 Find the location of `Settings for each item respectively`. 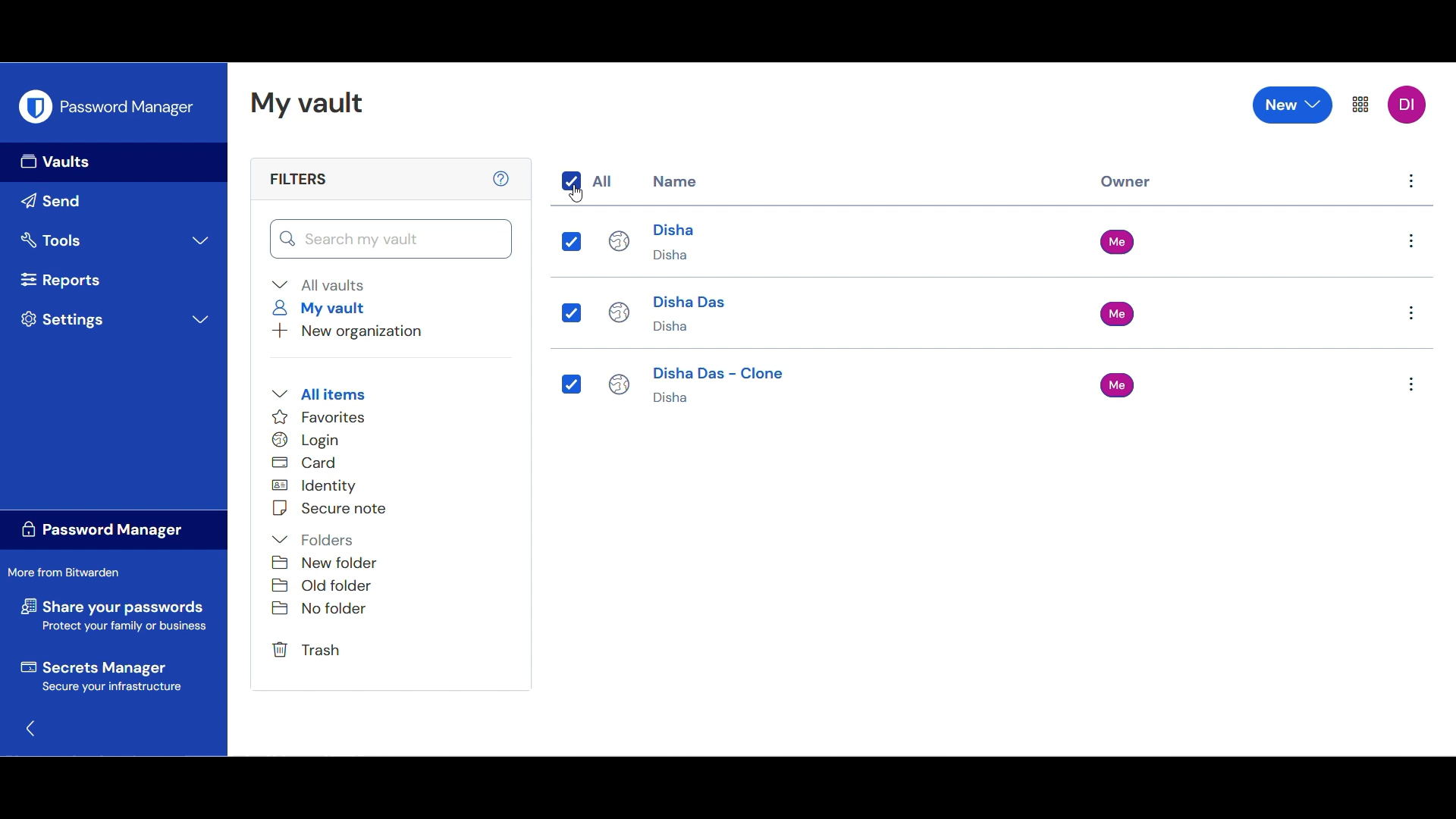

Settings for each item respectively is located at coordinates (1410, 387).